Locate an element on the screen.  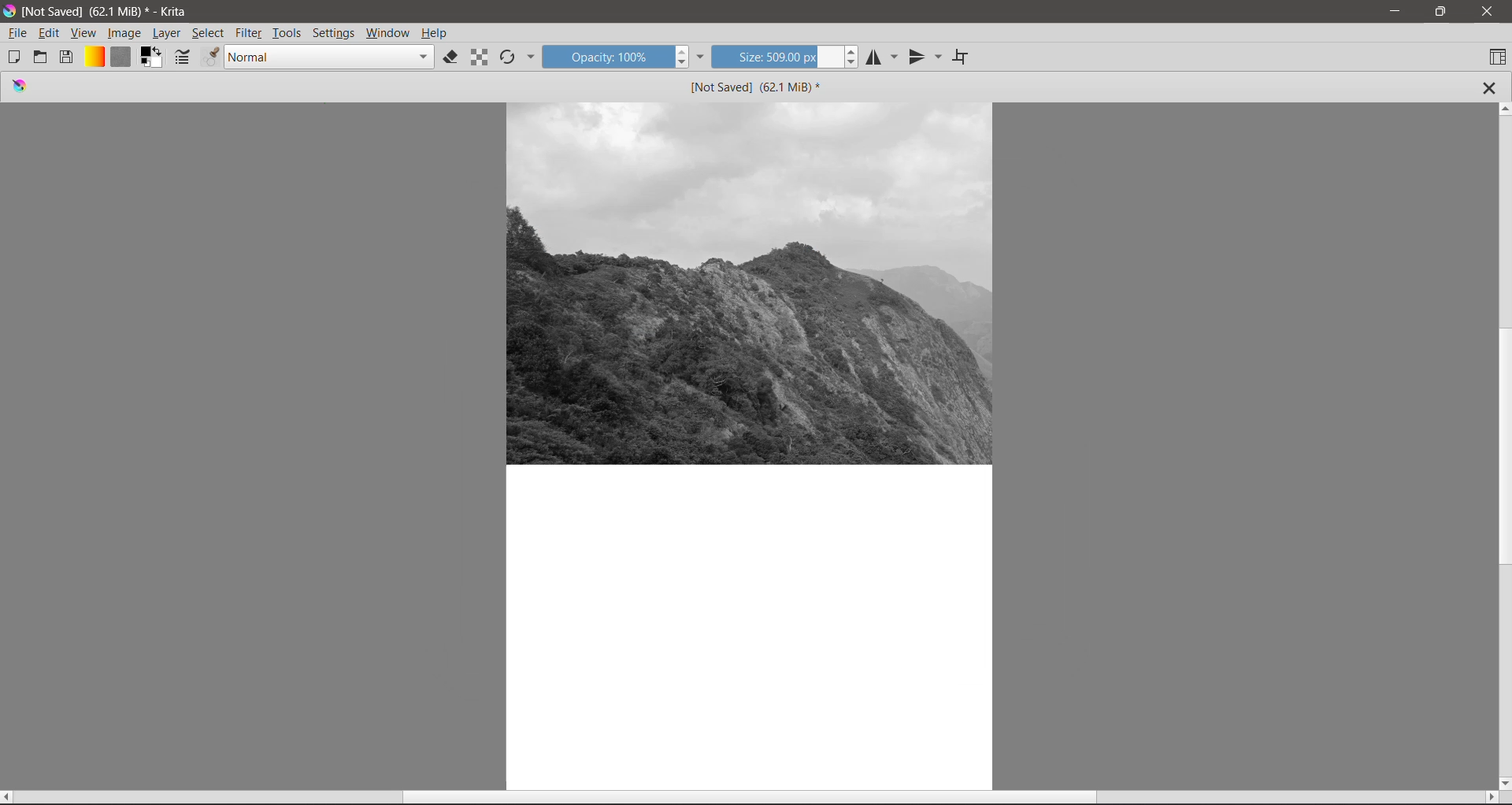
File is located at coordinates (17, 33).